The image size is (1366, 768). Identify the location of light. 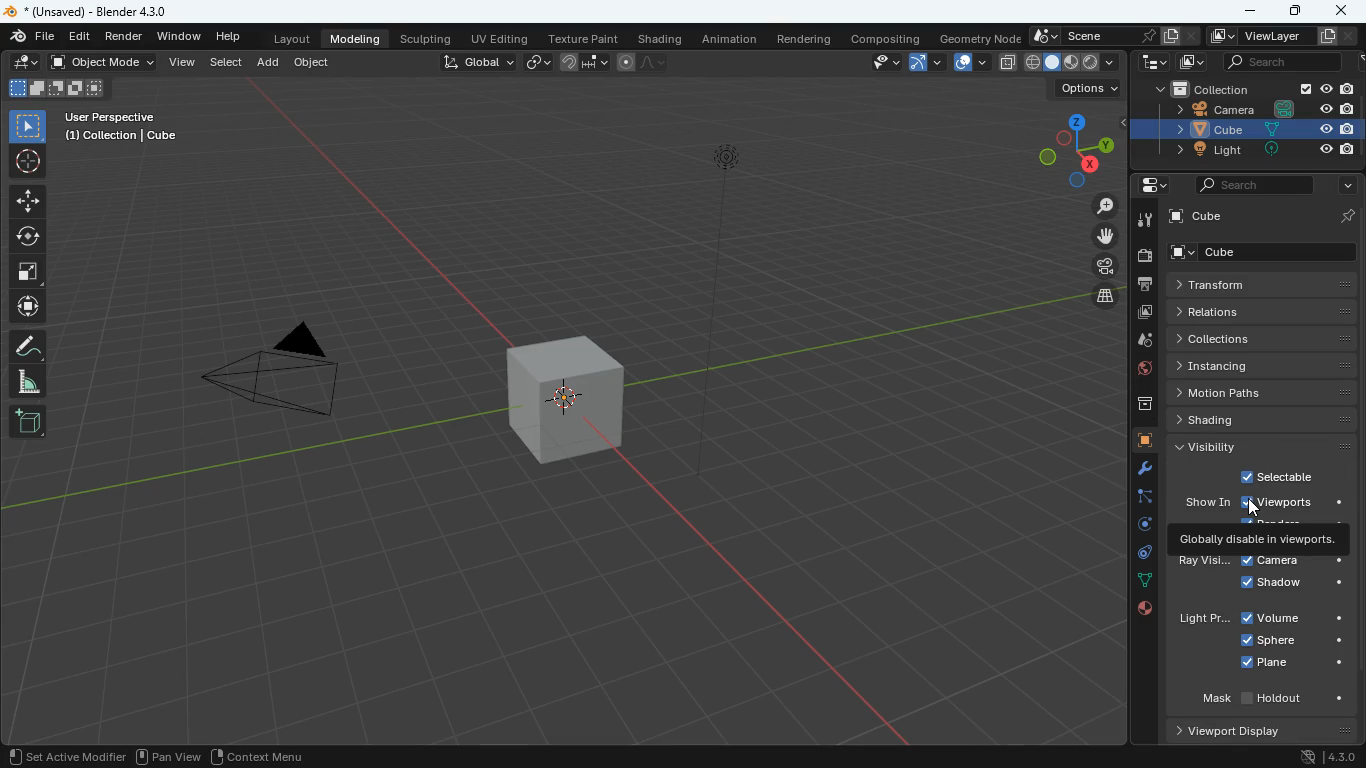
(1246, 151).